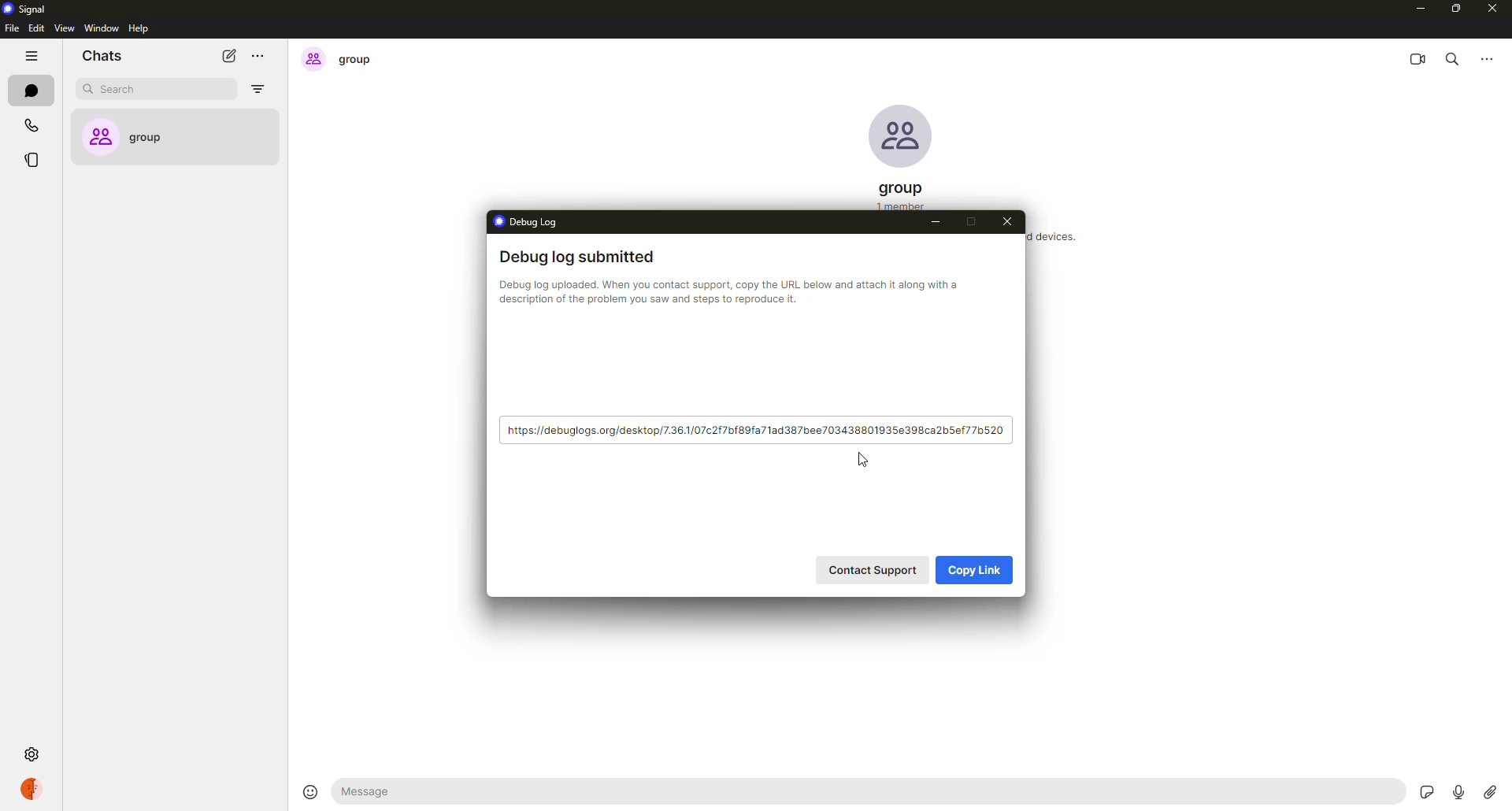  What do you see at coordinates (124, 91) in the screenshot?
I see `search` at bounding box center [124, 91].